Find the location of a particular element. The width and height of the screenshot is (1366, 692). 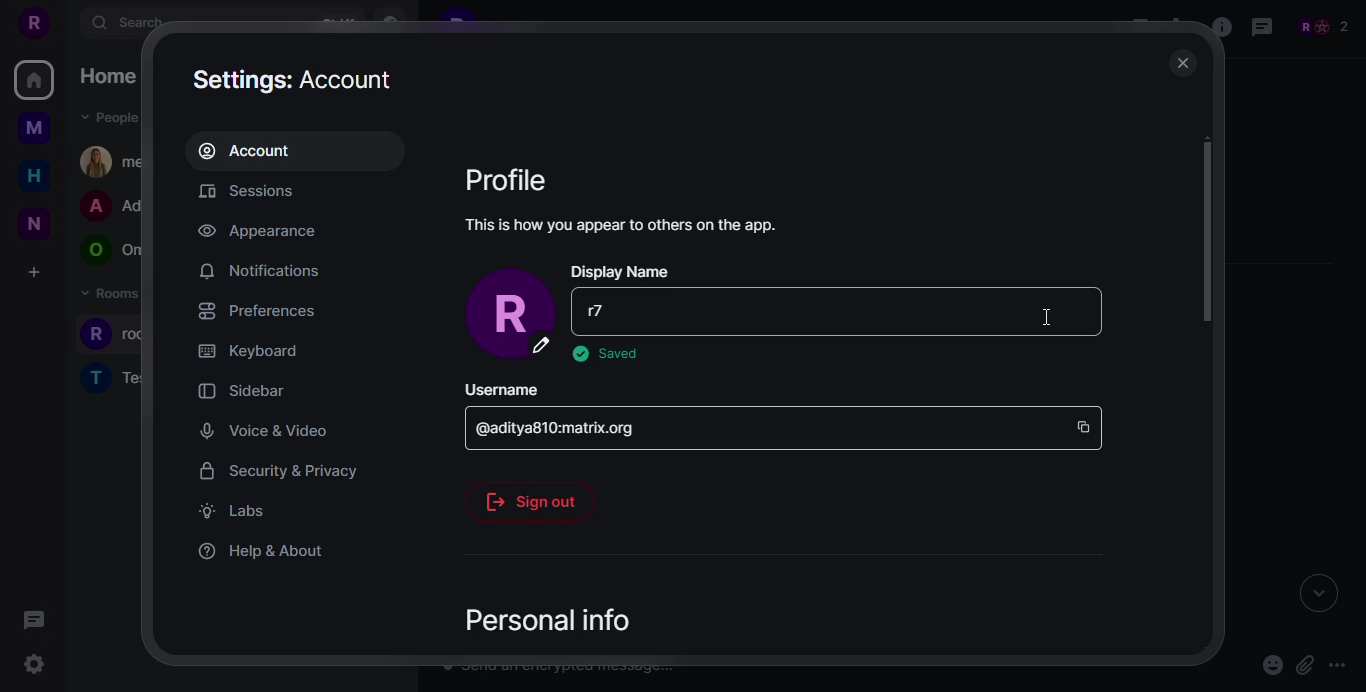

profile is located at coordinates (32, 24).